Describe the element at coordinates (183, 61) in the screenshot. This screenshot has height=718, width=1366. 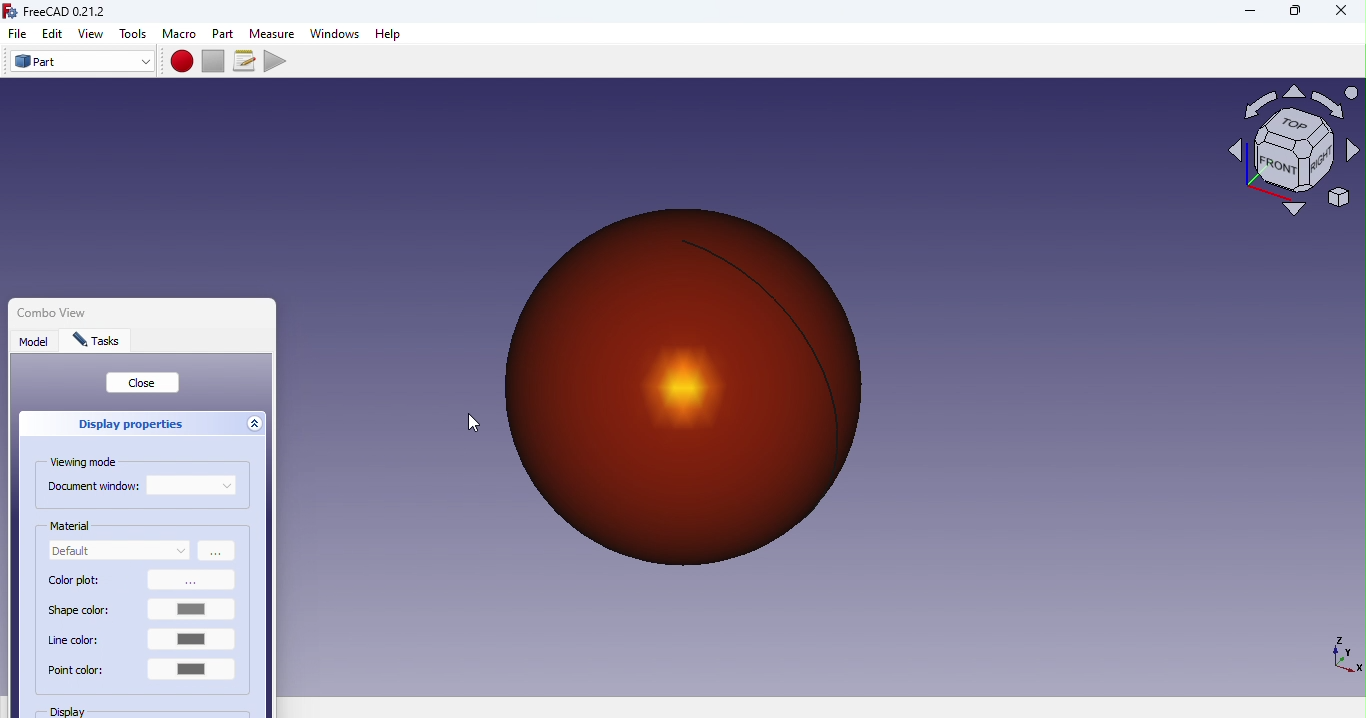
I see `Macro recording` at that location.